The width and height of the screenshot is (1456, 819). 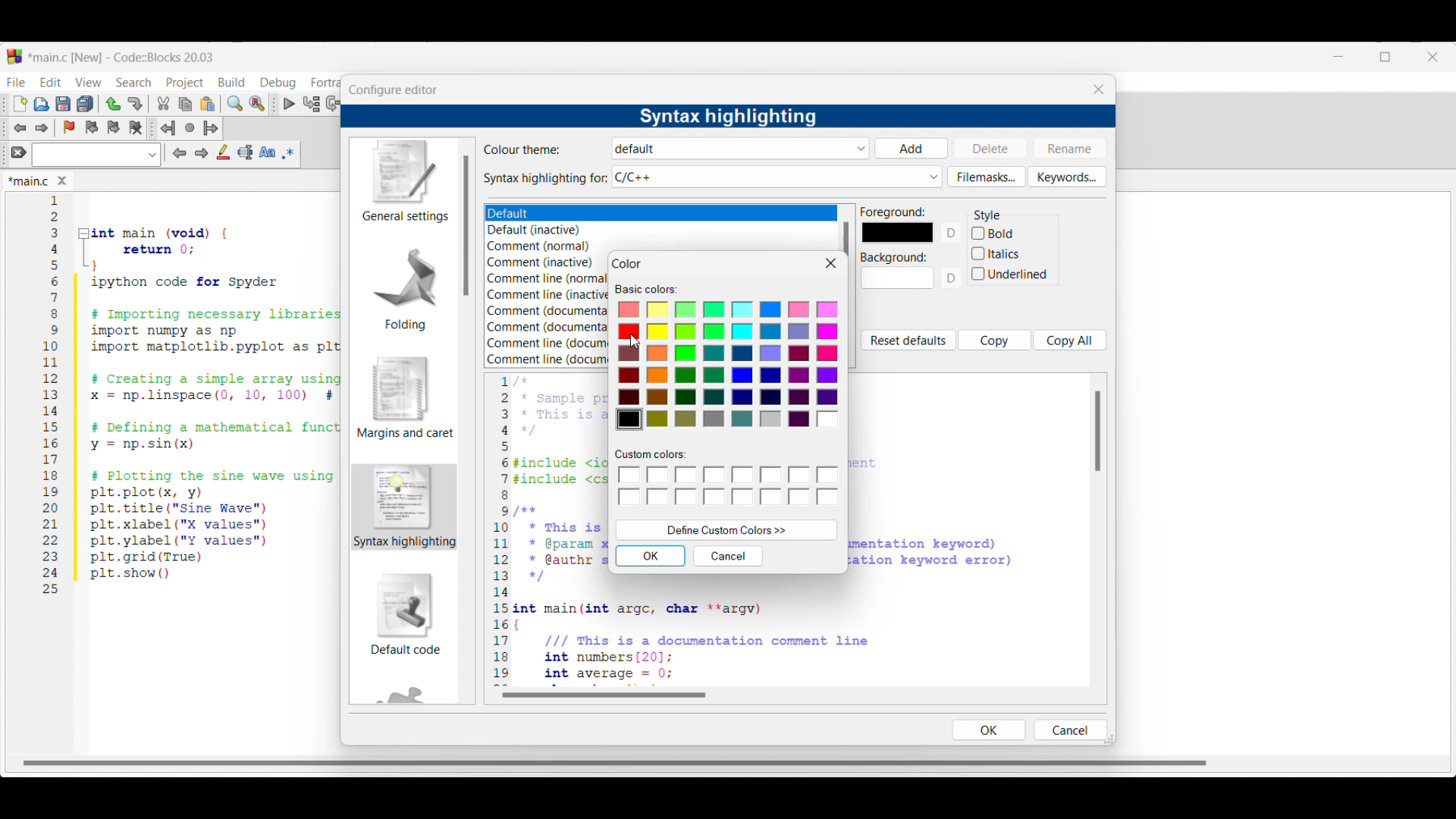 What do you see at coordinates (651, 556) in the screenshot?
I see `OK` at bounding box center [651, 556].